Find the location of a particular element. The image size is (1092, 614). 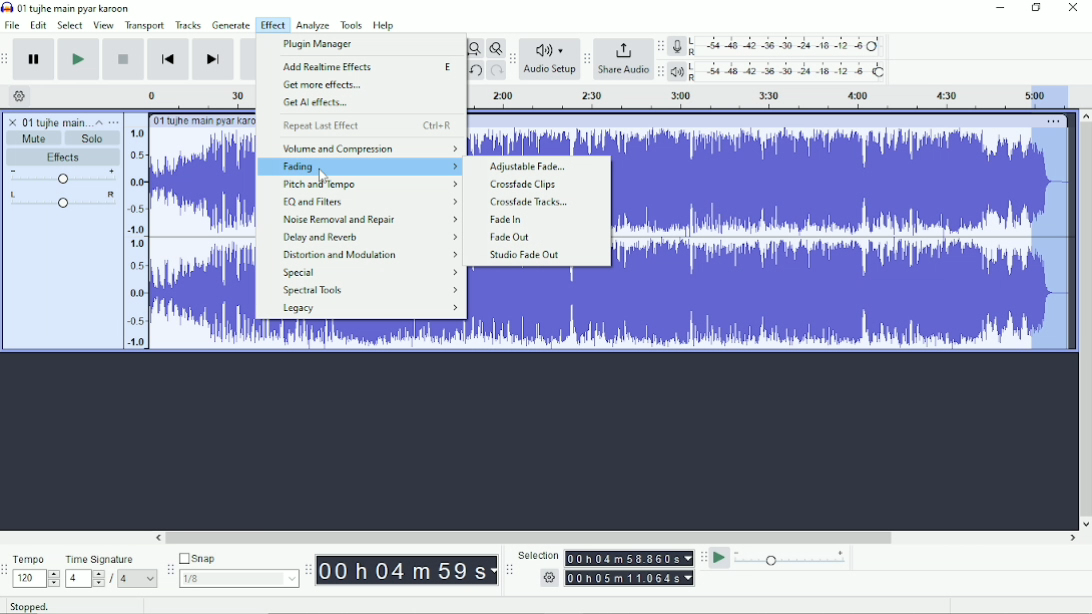

4 is located at coordinates (140, 578).